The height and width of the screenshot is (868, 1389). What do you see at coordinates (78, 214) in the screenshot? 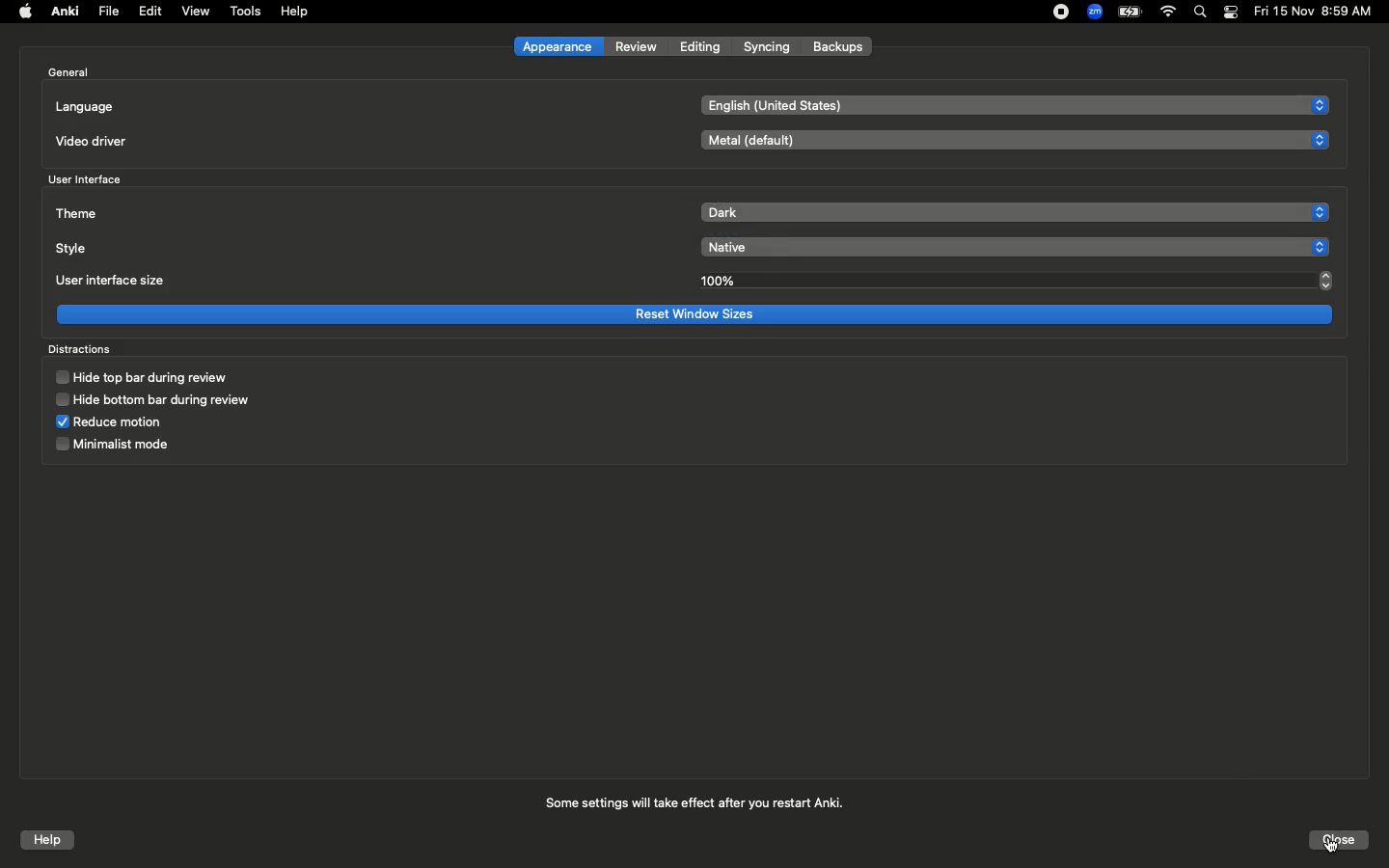
I see `Theme` at bounding box center [78, 214].